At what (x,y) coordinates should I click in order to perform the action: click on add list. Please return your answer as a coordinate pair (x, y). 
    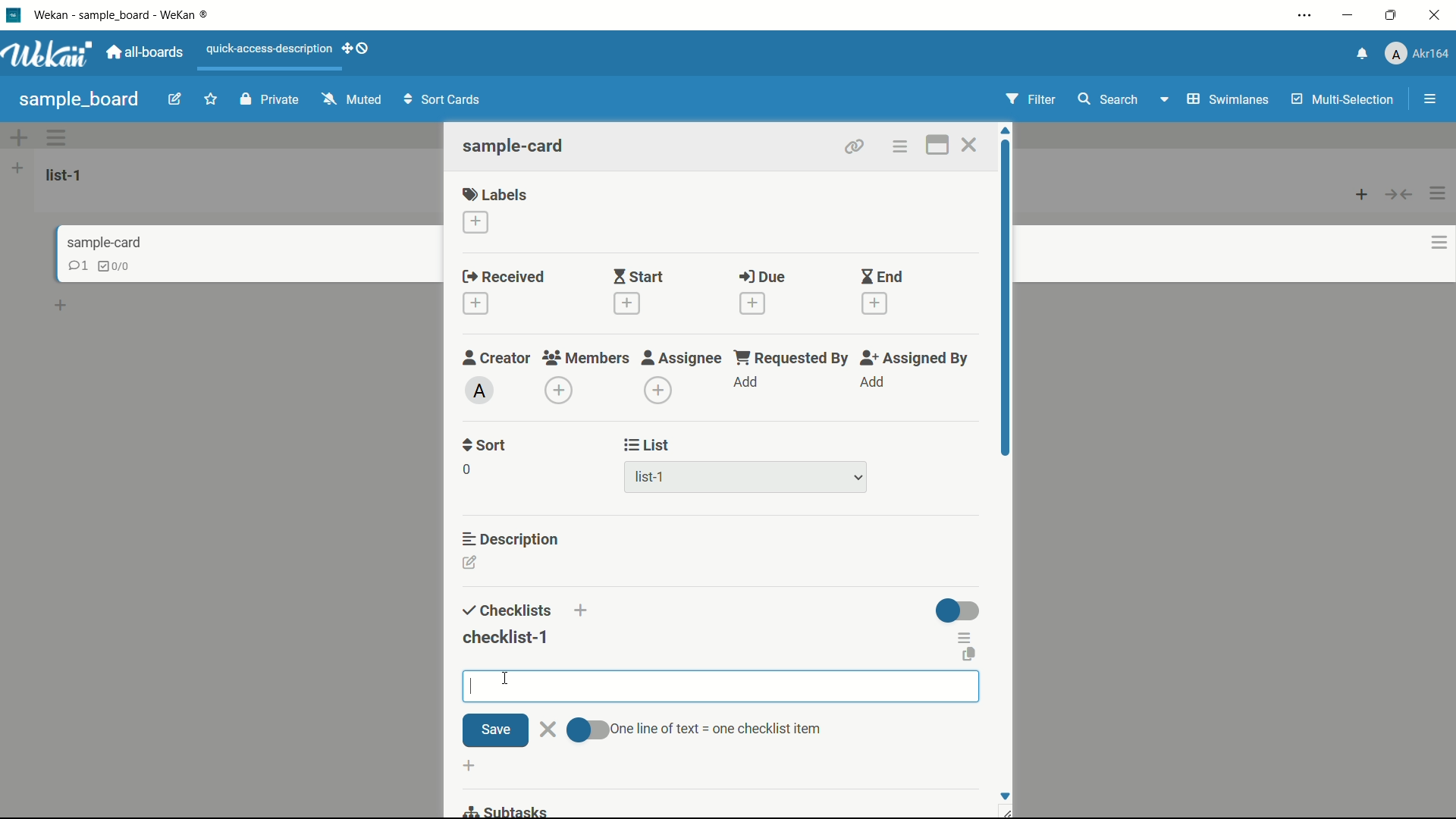
    Looking at the image, I should click on (18, 170).